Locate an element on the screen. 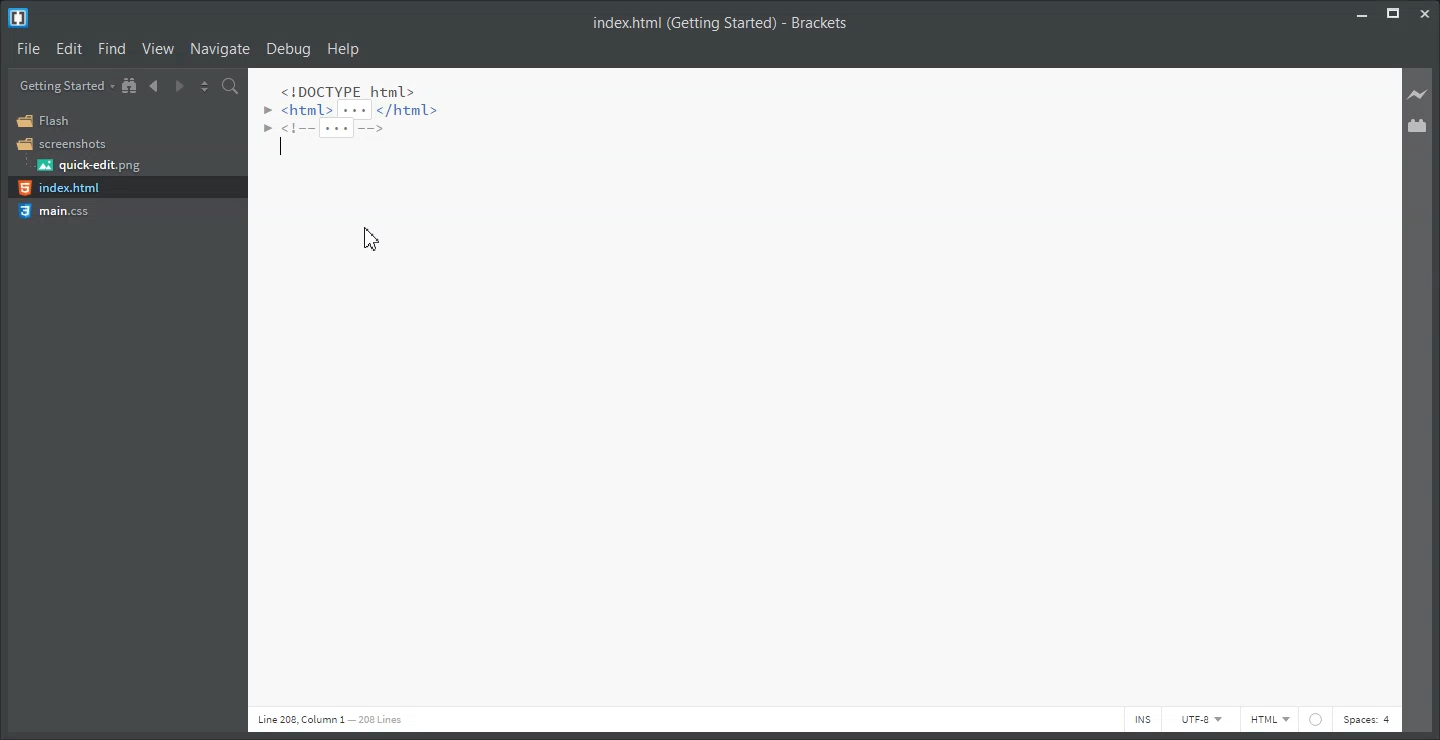 This screenshot has height=740, width=1440. Help is located at coordinates (346, 49).